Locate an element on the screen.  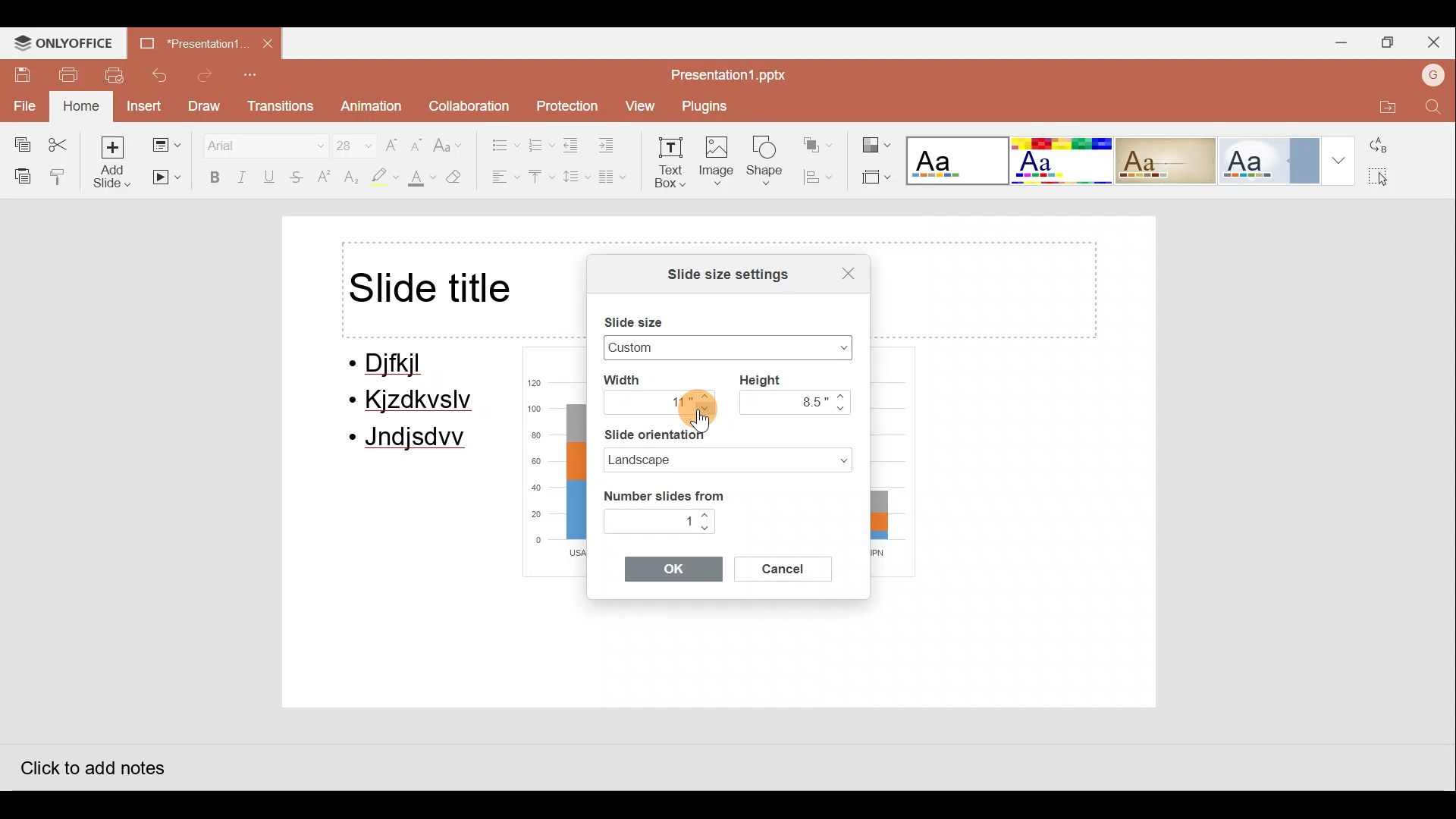
Quick print is located at coordinates (118, 76).